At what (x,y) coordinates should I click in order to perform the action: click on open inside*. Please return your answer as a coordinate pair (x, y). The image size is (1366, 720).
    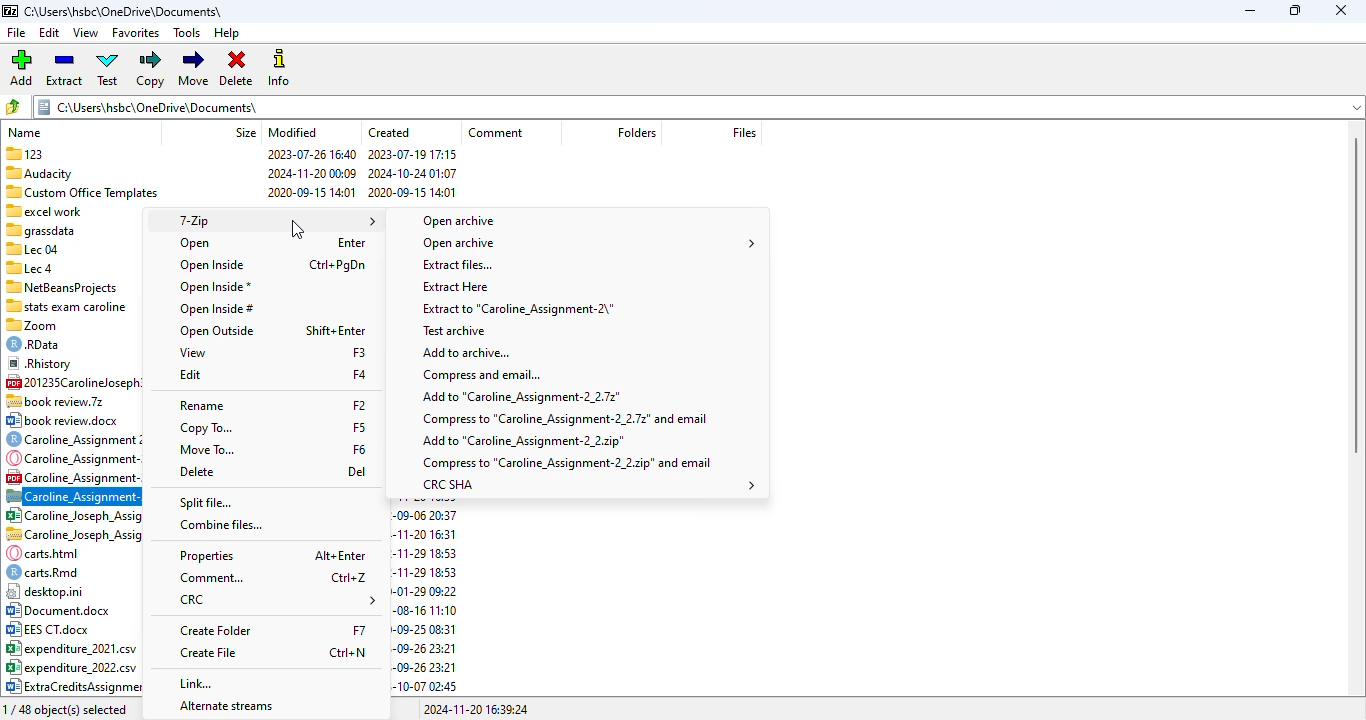
    Looking at the image, I should click on (216, 288).